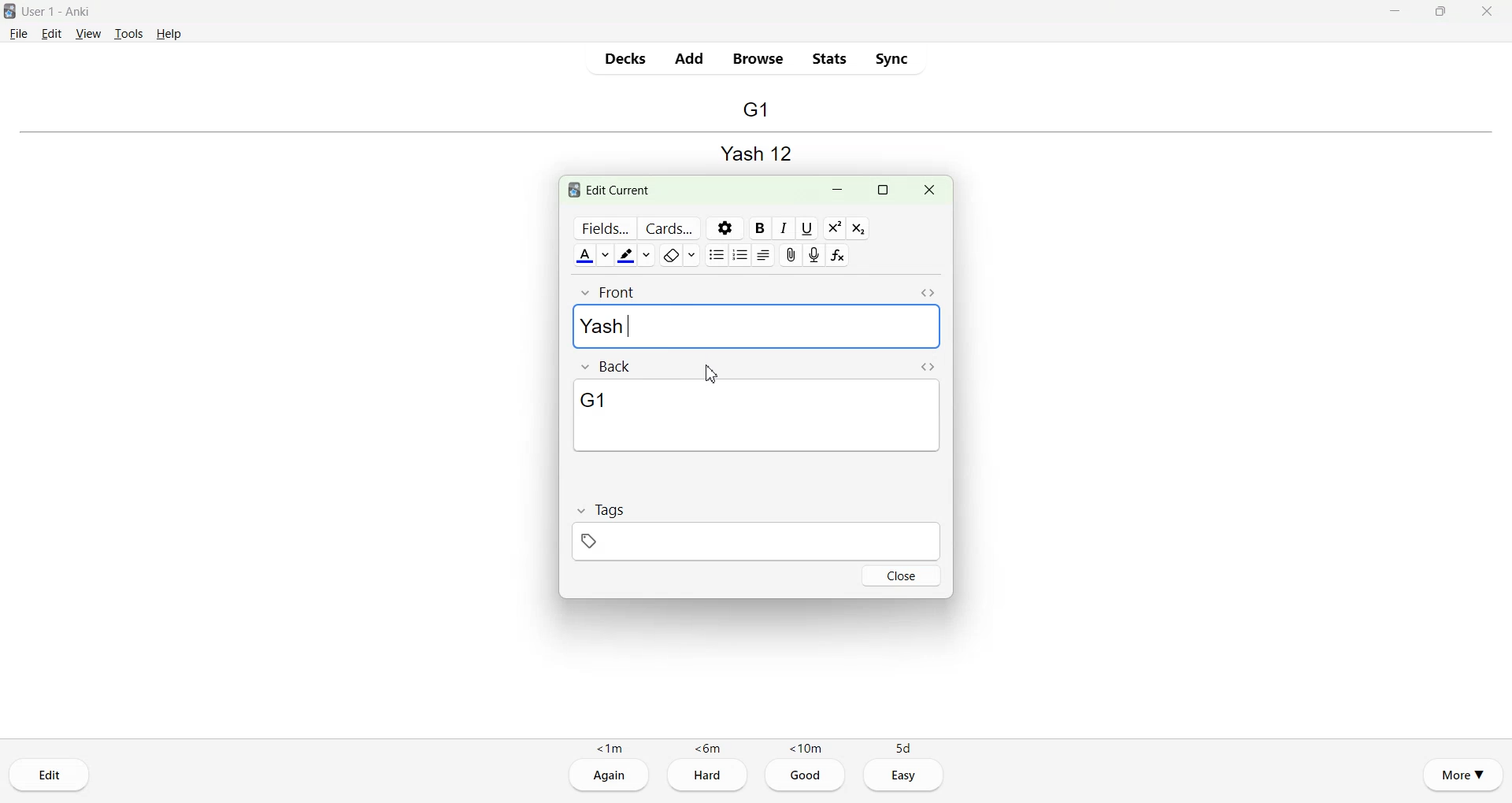  Describe the element at coordinates (1397, 11) in the screenshot. I see `Minimize` at that location.